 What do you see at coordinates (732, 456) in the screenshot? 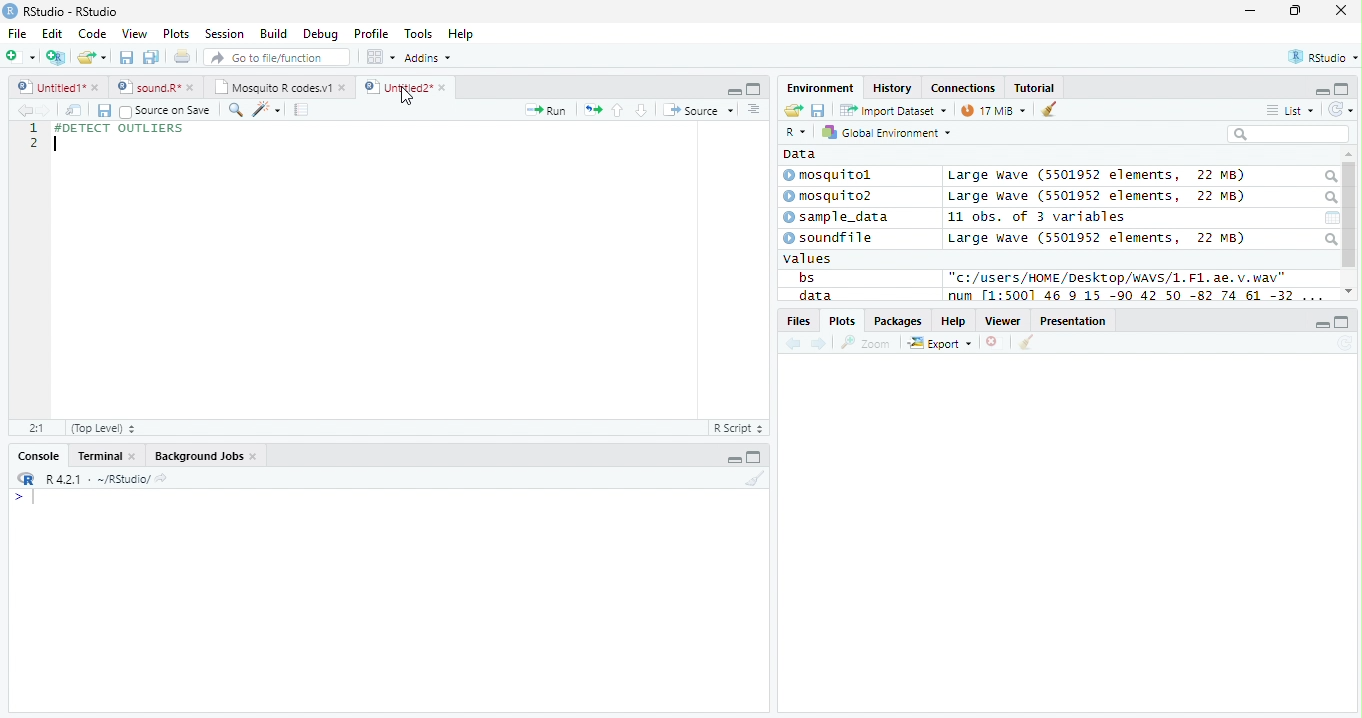
I see `minimize` at bounding box center [732, 456].